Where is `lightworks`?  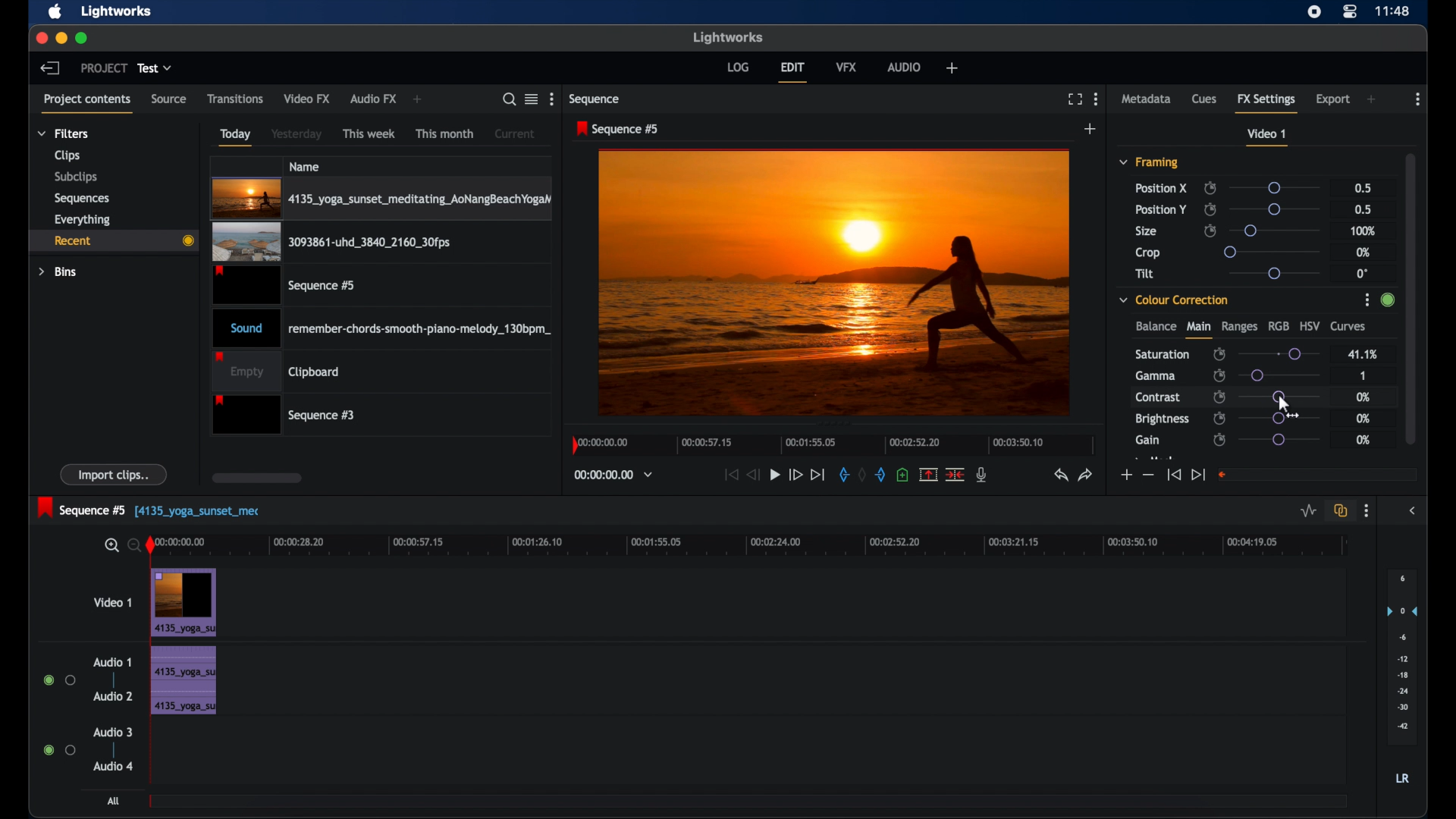
lightworks is located at coordinates (117, 12).